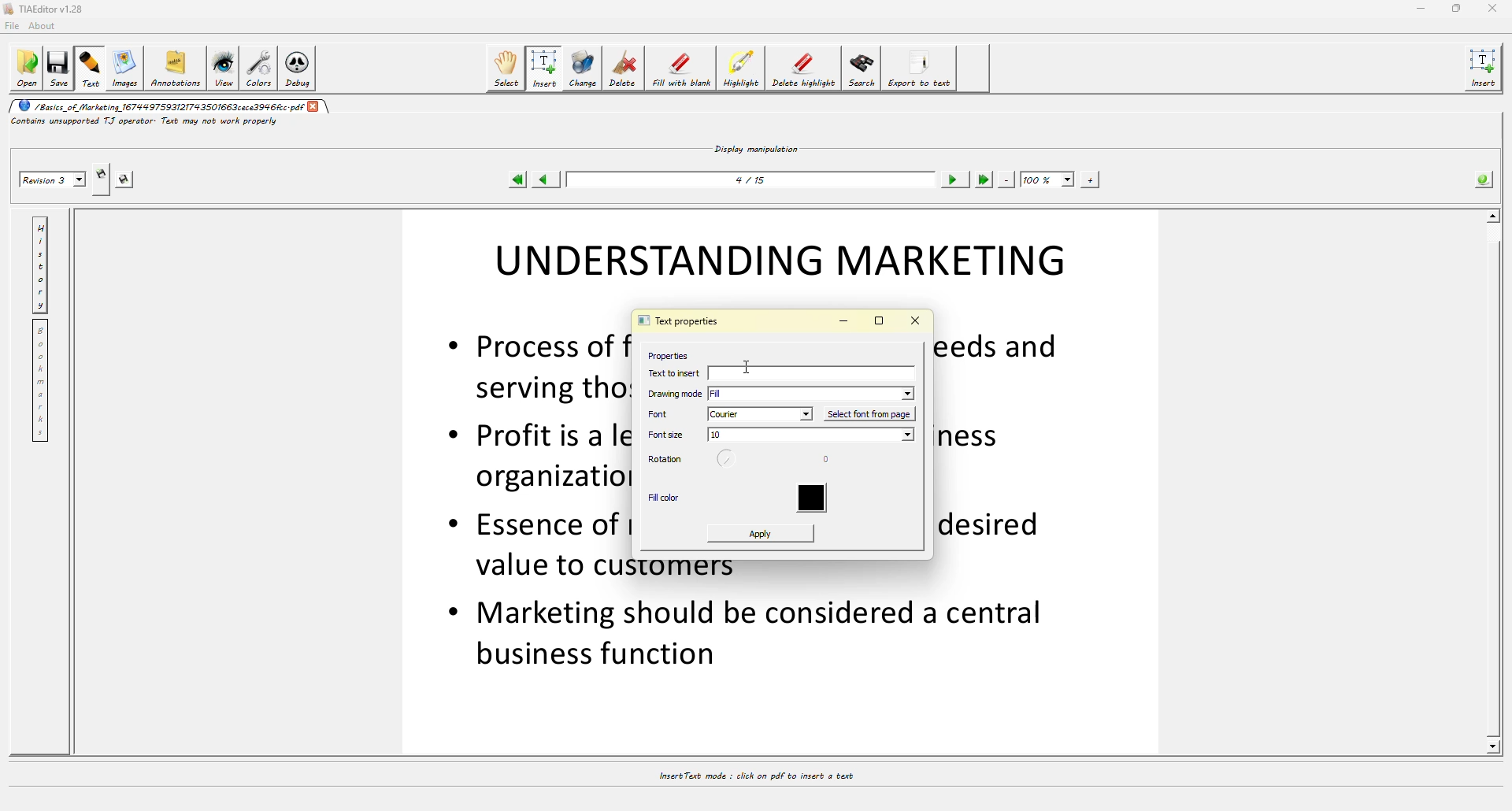 The image size is (1512, 811). I want to click on fill, so click(813, 393).